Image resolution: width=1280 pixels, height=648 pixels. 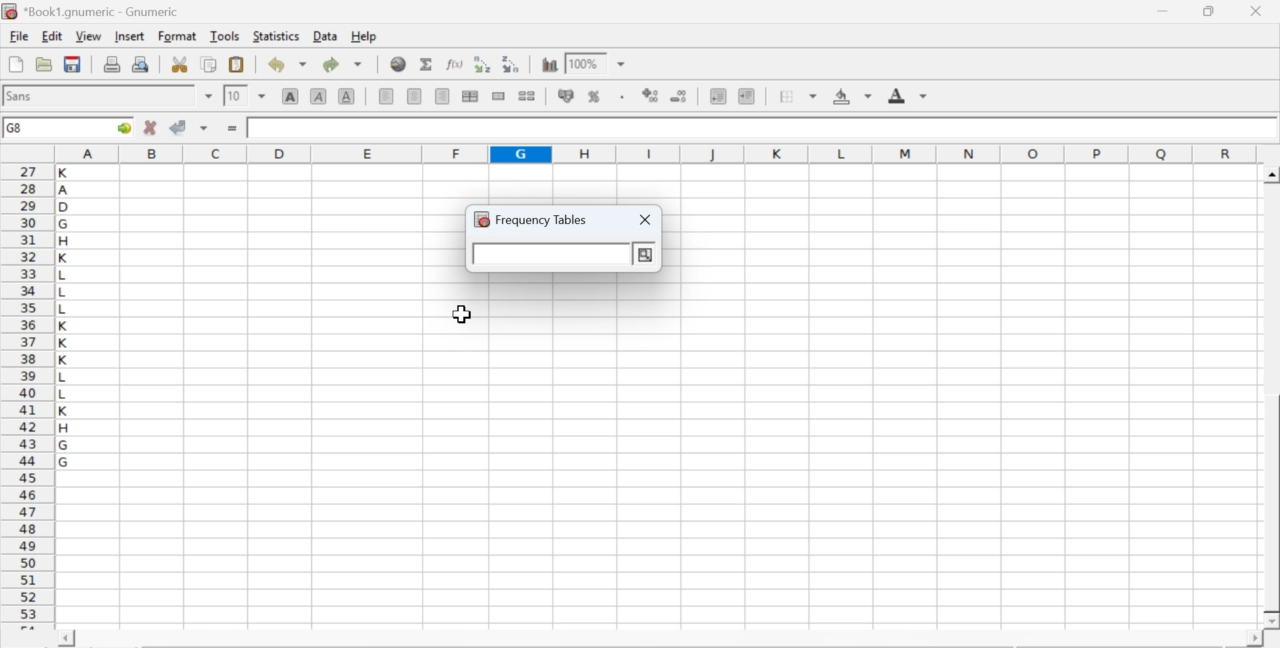 I want to click on print, so click(x=112, y=63).